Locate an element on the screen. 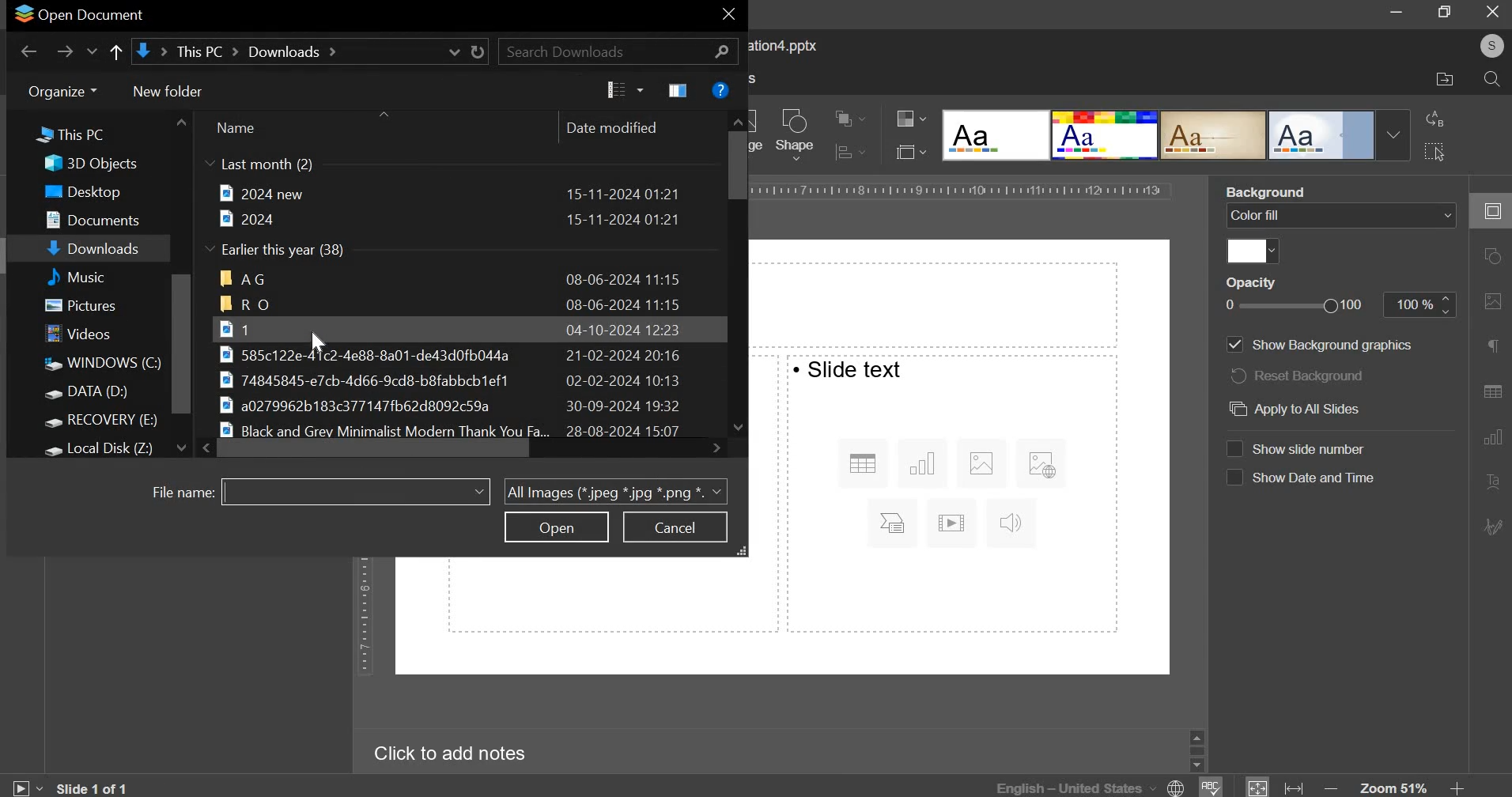 The width and height of the screenshot is (1512, 797). increase zoom is located at coordinates (1457, 788).